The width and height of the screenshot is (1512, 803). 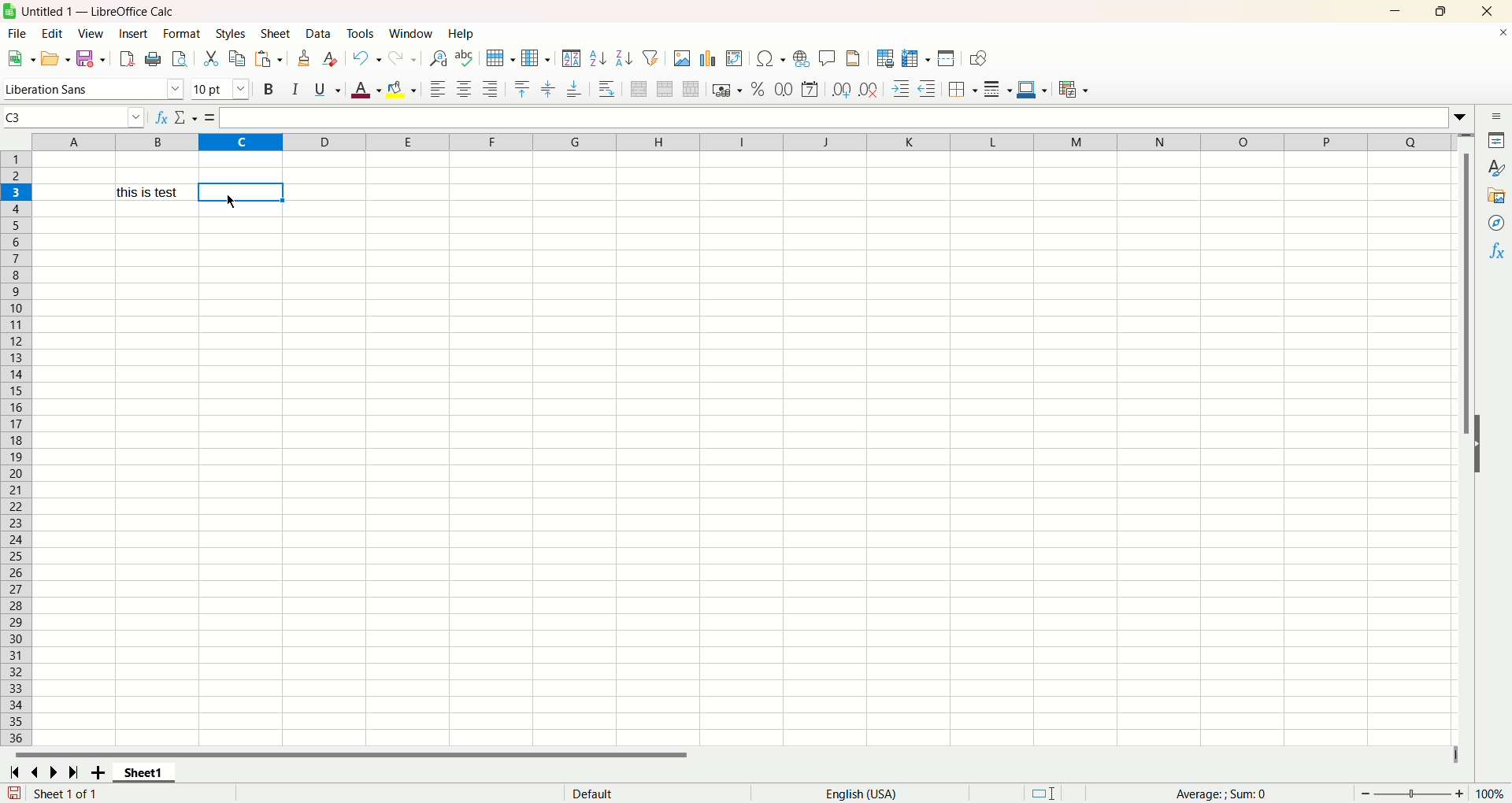 What do you see at coordinates (232, 201) in the screenshot?
I see `Cursor` at bounding box center [232, 201].